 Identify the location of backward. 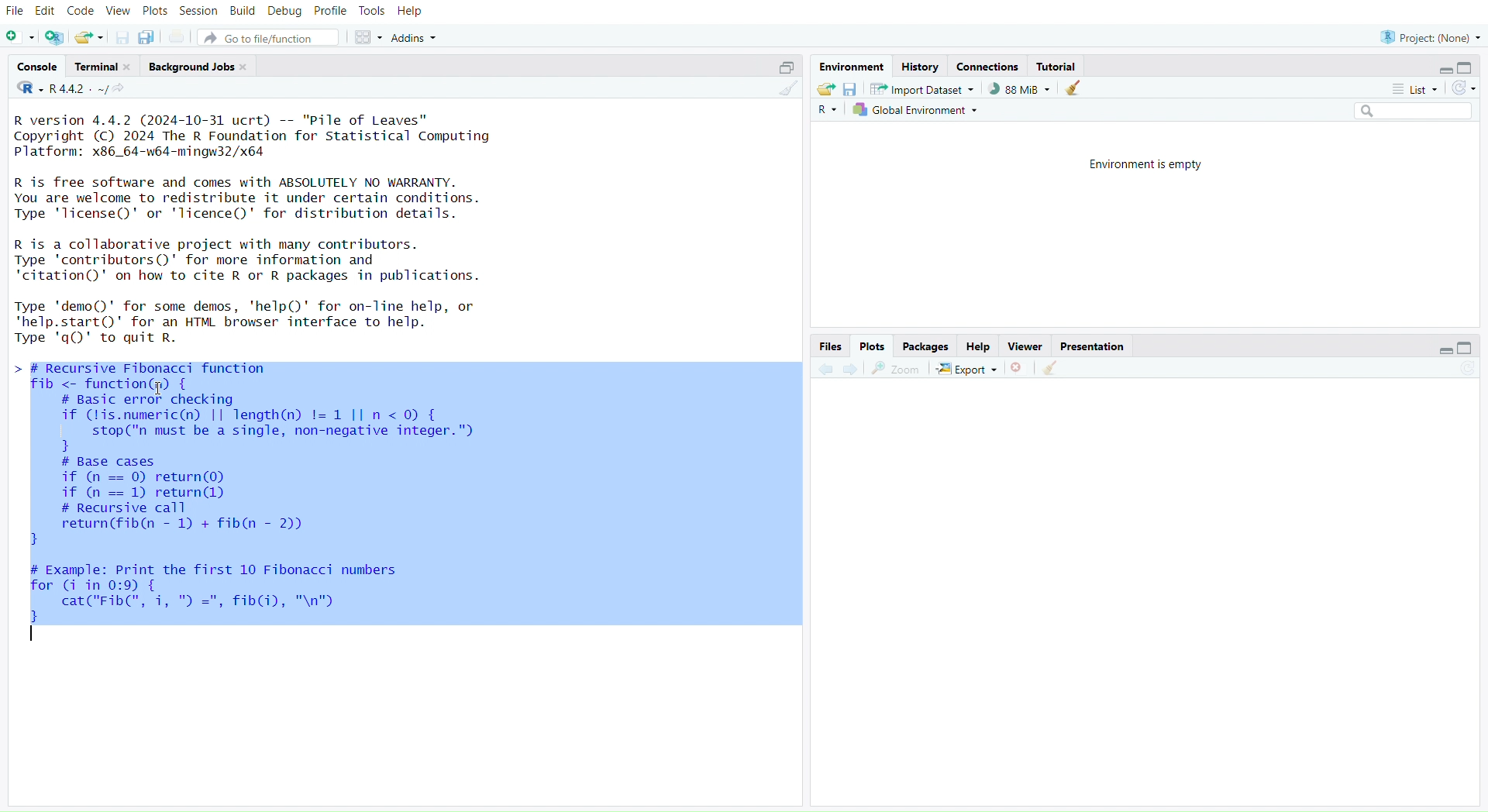
(825, 370).